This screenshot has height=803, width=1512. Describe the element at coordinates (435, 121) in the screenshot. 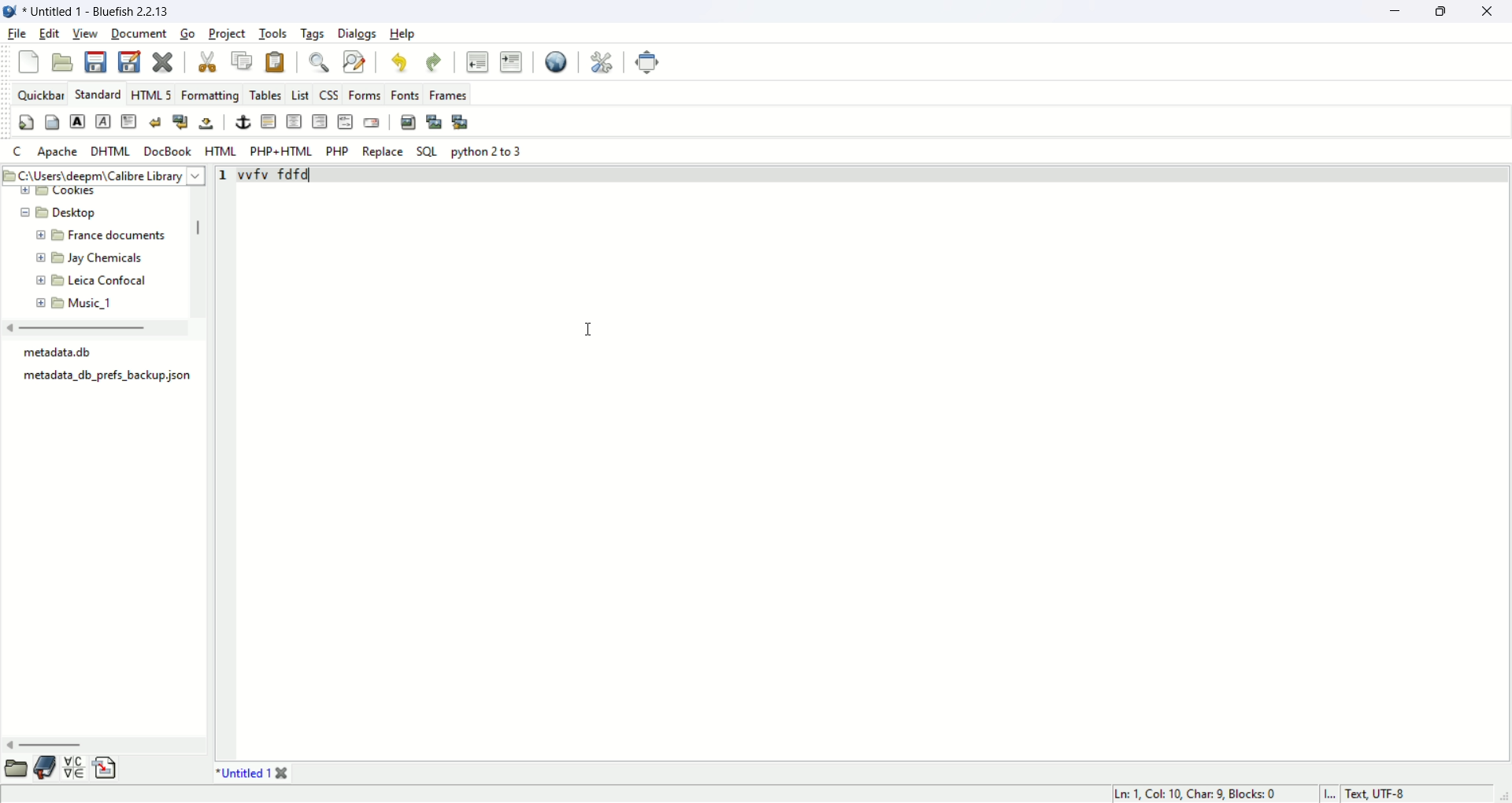

I see `insert thumbnail` at that location.